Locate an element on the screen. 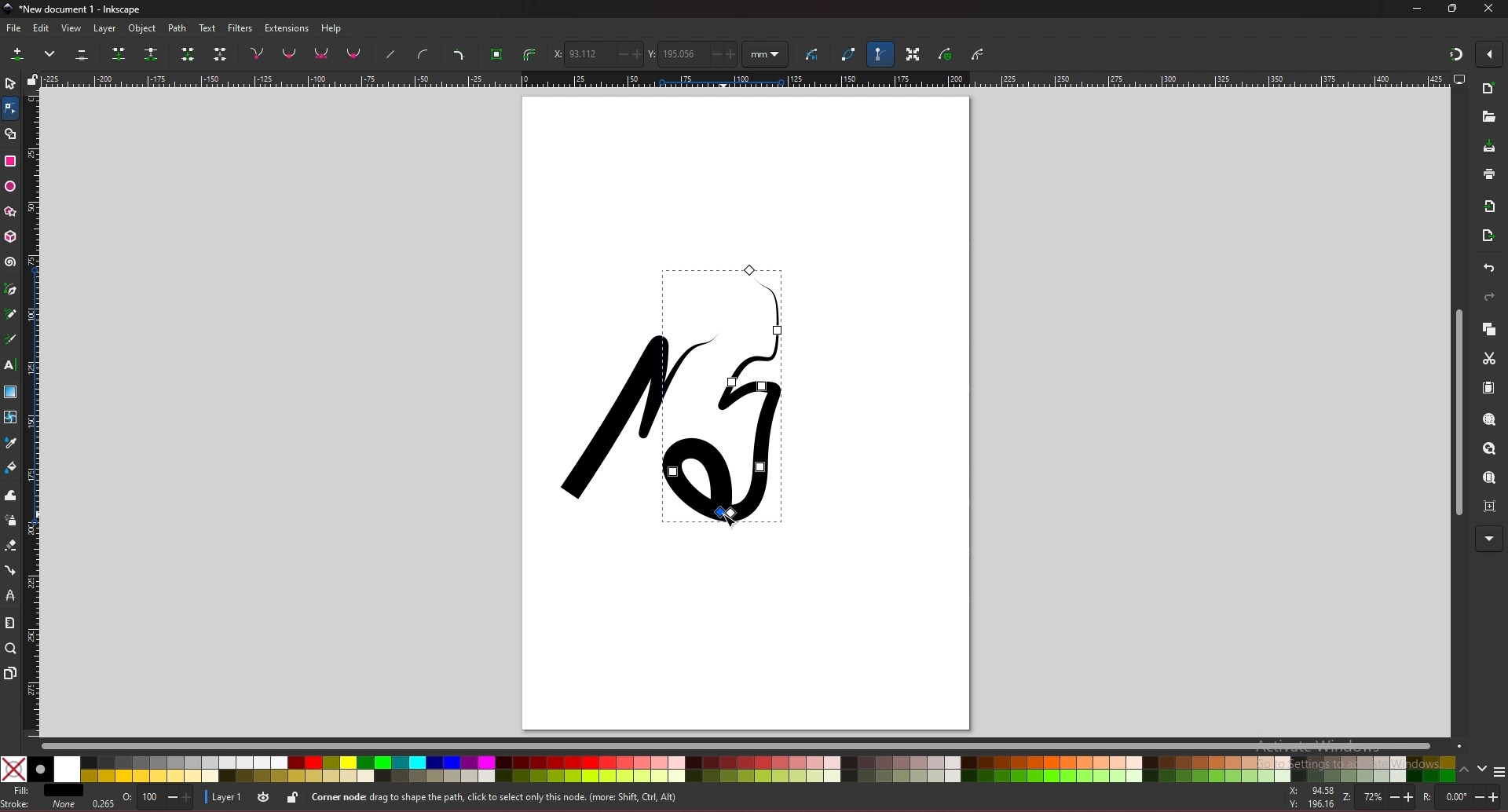 This screenshot has width=1508, height=812. x coordinate is located at coordinates (596, 53).